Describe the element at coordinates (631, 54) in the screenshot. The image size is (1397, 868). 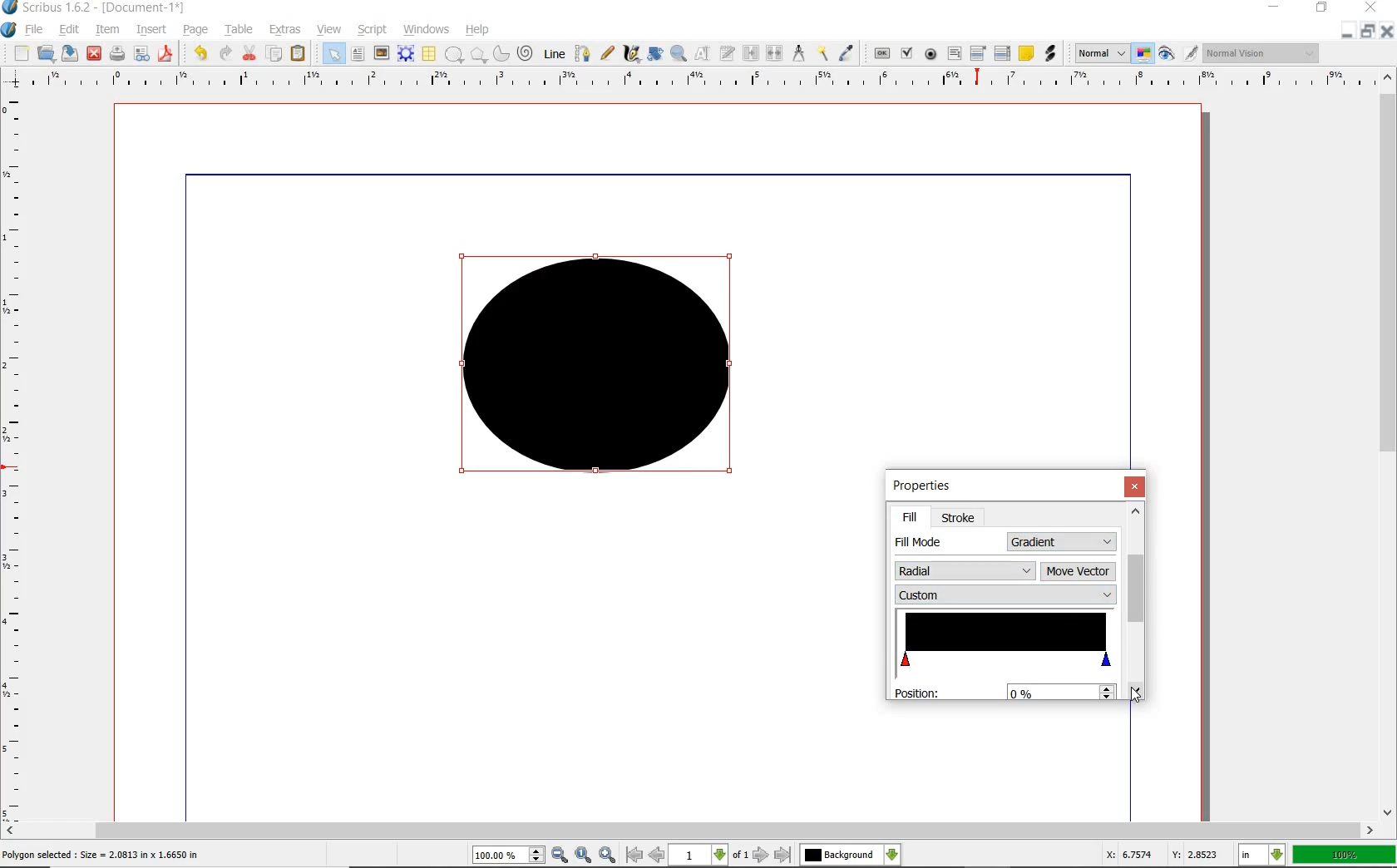
I see `CALLIGRAPHIC LINE` at that location.